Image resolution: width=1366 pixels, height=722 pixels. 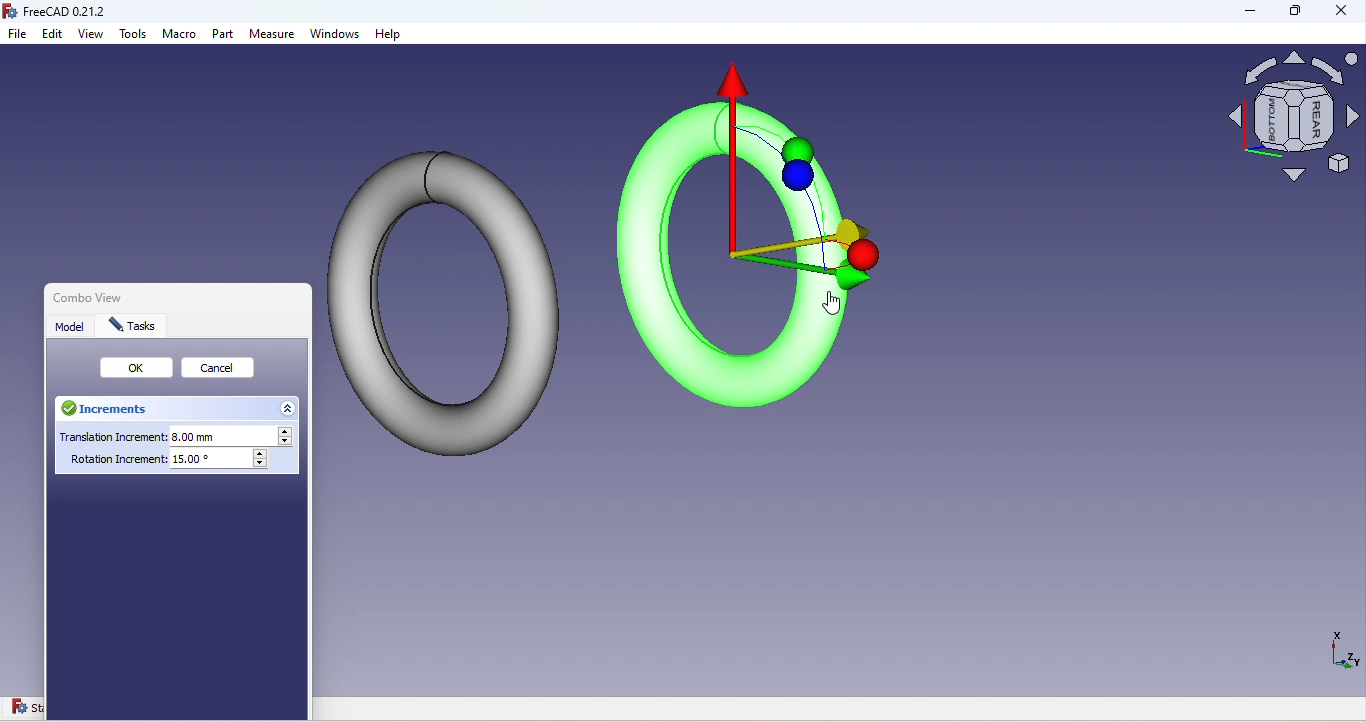 What do you see at coordinates (1341, 656) in the screenshot?
I see `Dimensions` at bounding box center [1341, 656].